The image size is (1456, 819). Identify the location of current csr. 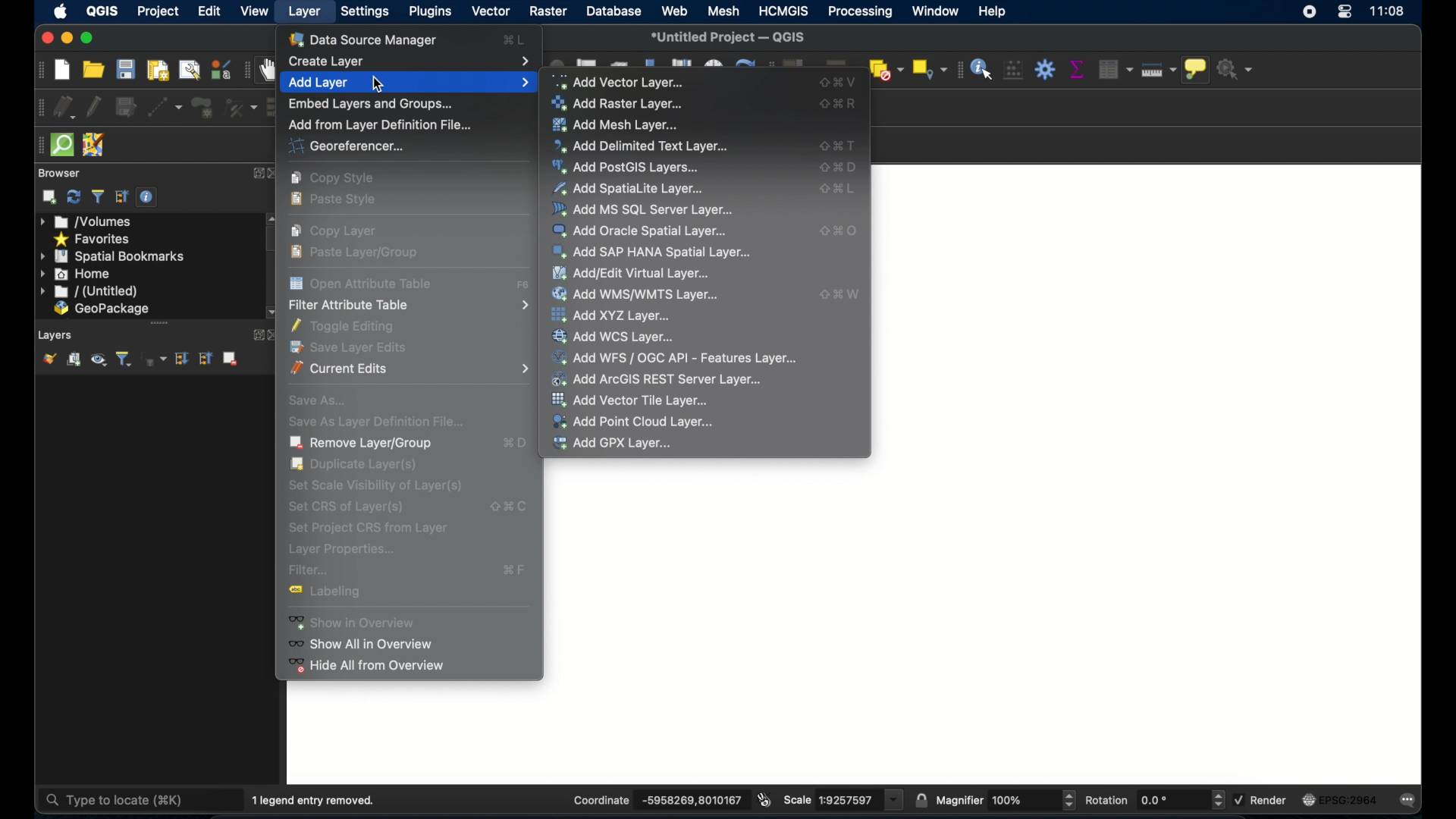
(1345, 799).